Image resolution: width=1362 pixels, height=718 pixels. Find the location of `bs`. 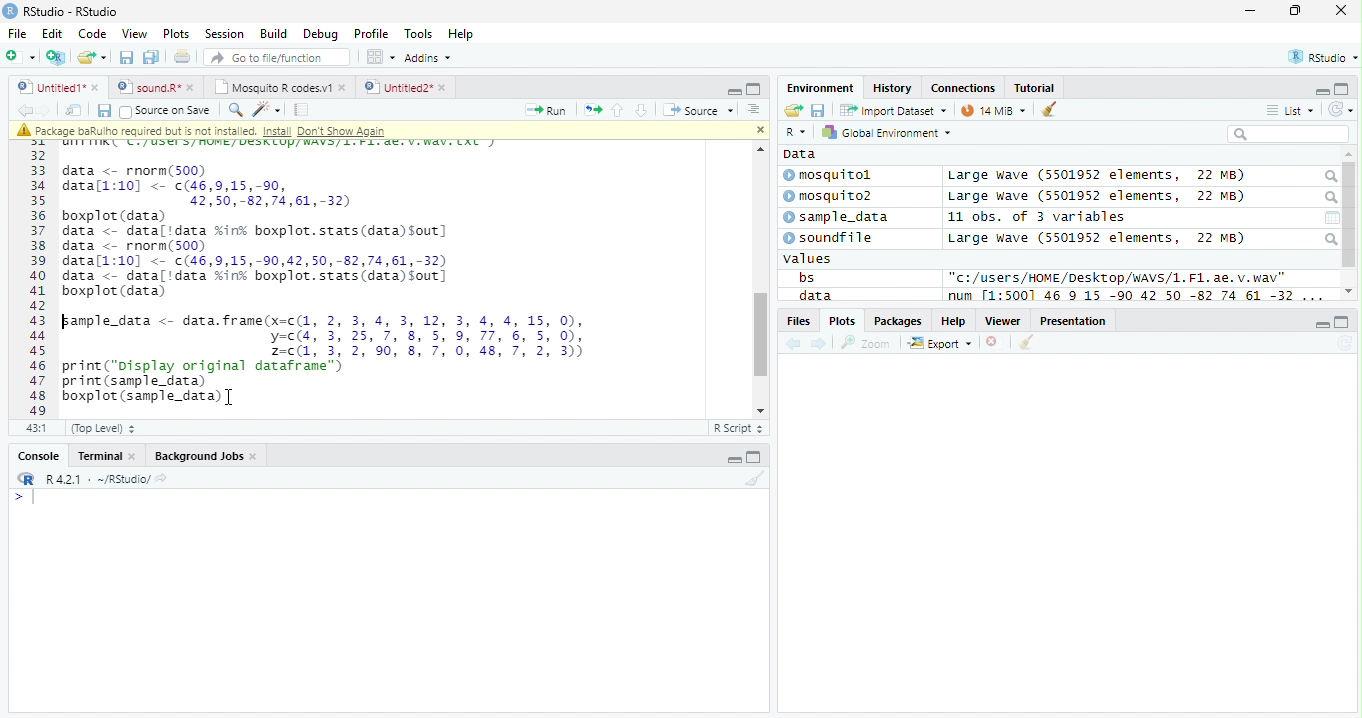

bs is located at coordinates (806, 277).